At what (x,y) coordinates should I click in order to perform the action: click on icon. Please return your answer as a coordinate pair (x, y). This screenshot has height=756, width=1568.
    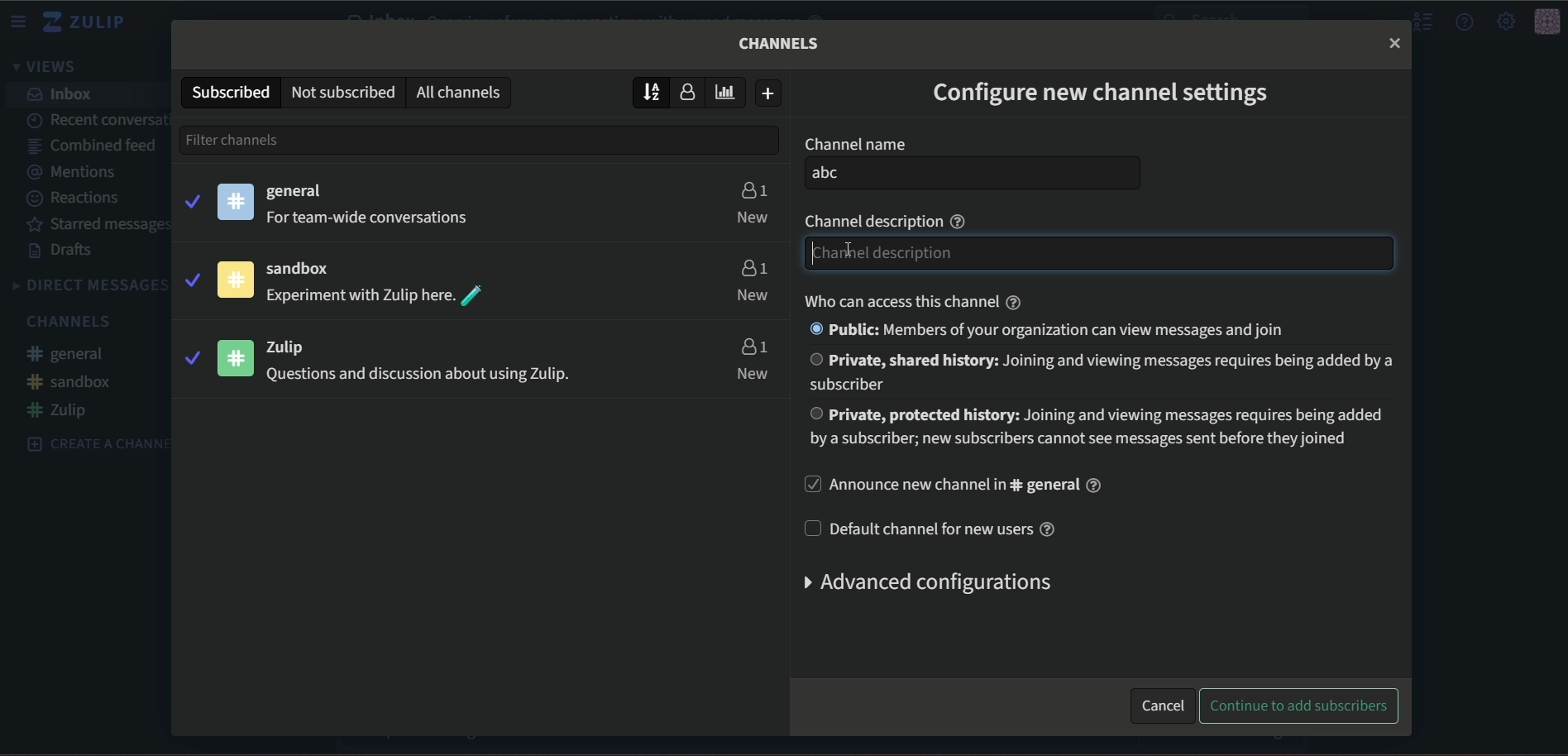
    Looking at the image, I should click on (233, 356).